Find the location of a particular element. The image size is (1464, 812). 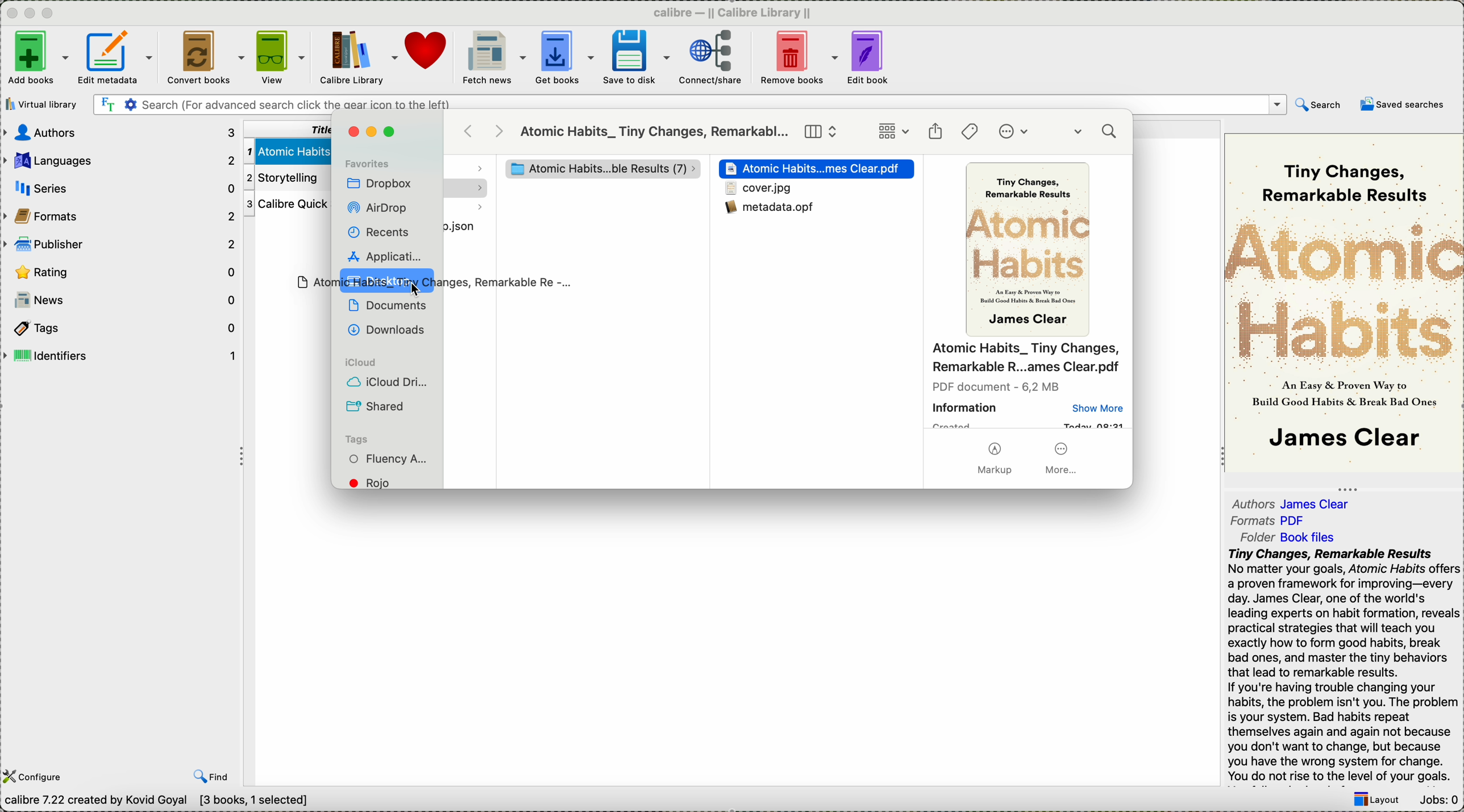

Downloads is located at coordinates (384, 328).